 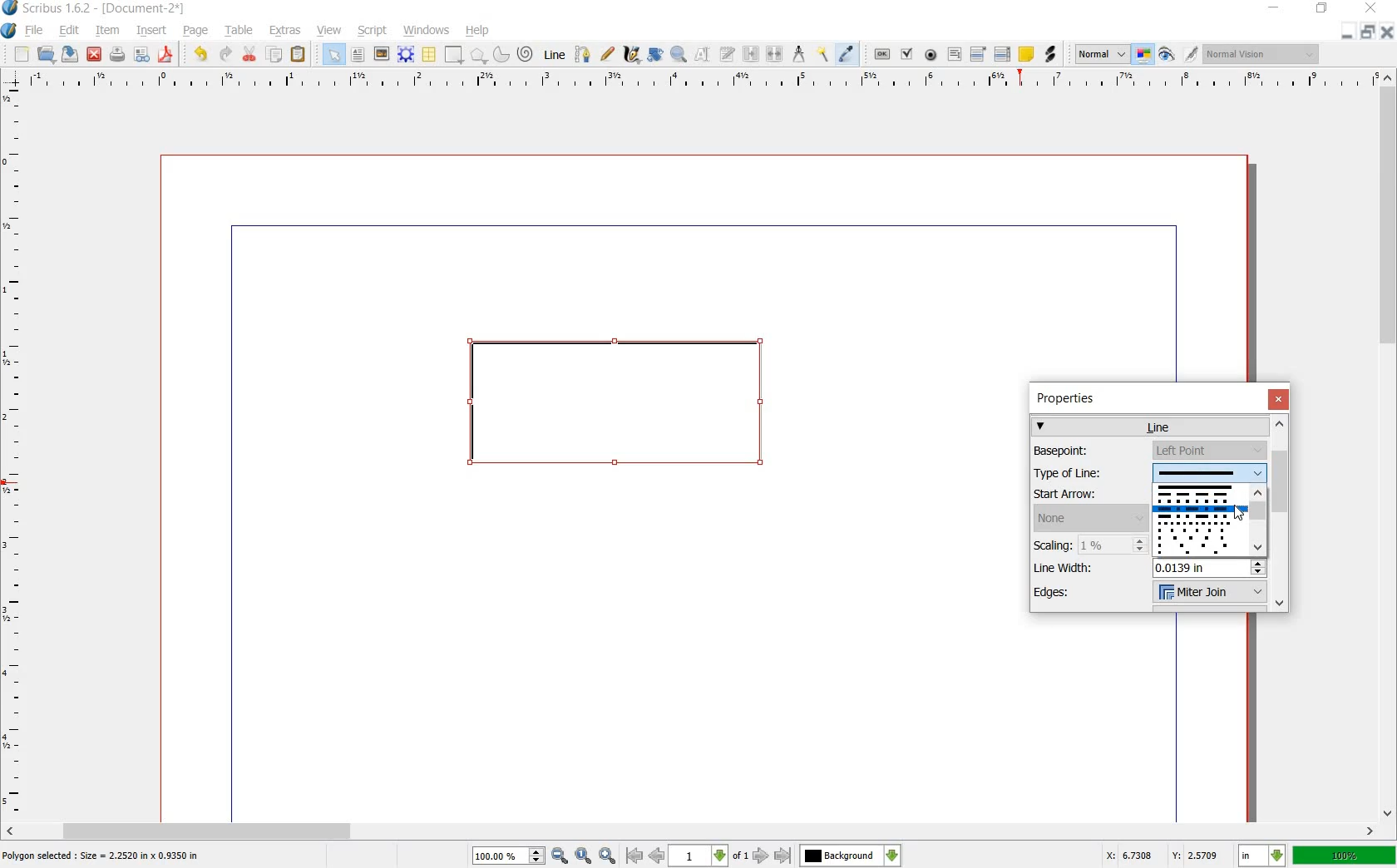 What do you see at coordinates (703, 55) in the screenshot?
I see `EDIT CONTENTS OF FRAME` at bounding box center [703, 55].